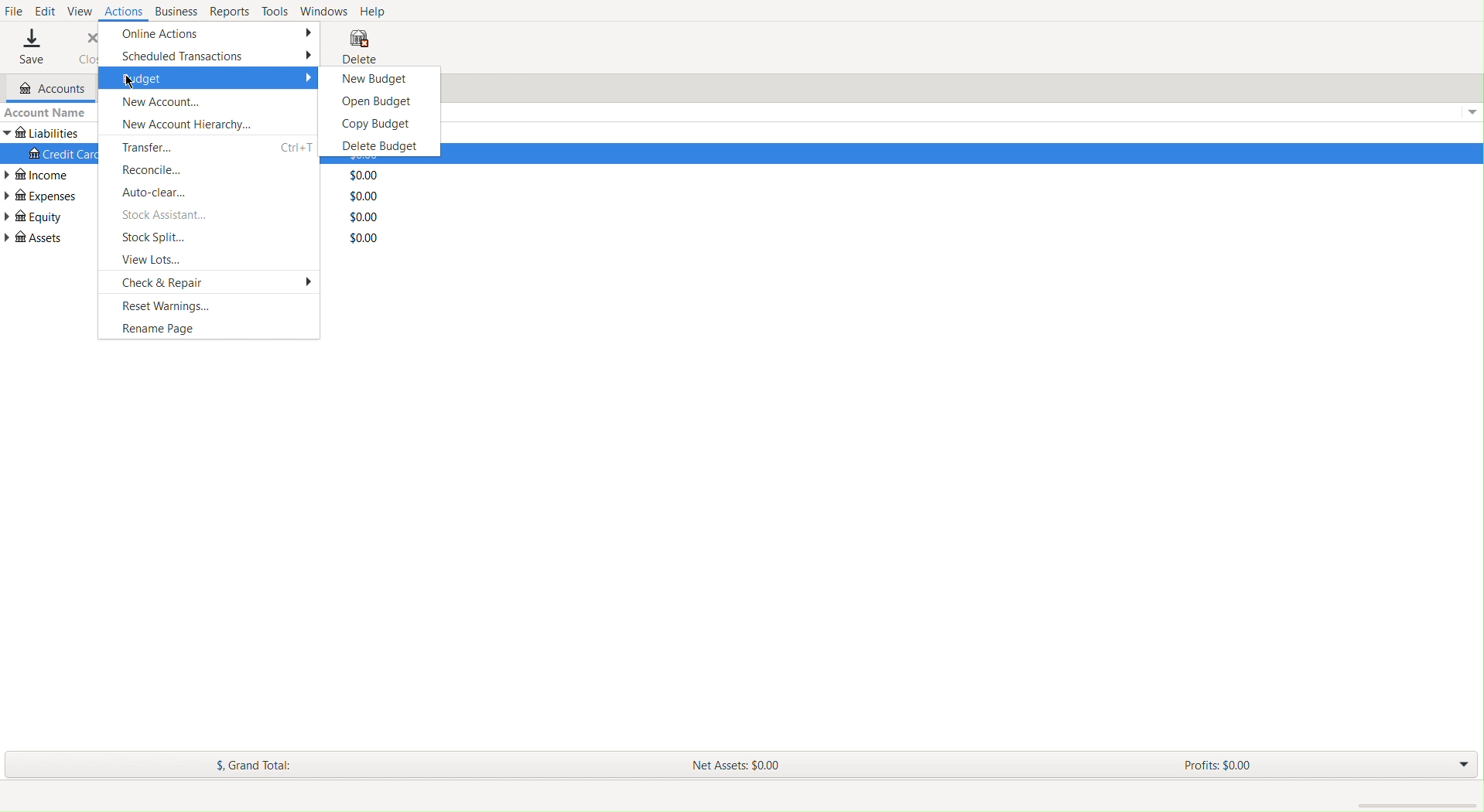 Image resolution: width=1484 pixels, height=812 pixels. Describe the element at coordinates (378, 10) in the screenshot. I see `Help` at that location.